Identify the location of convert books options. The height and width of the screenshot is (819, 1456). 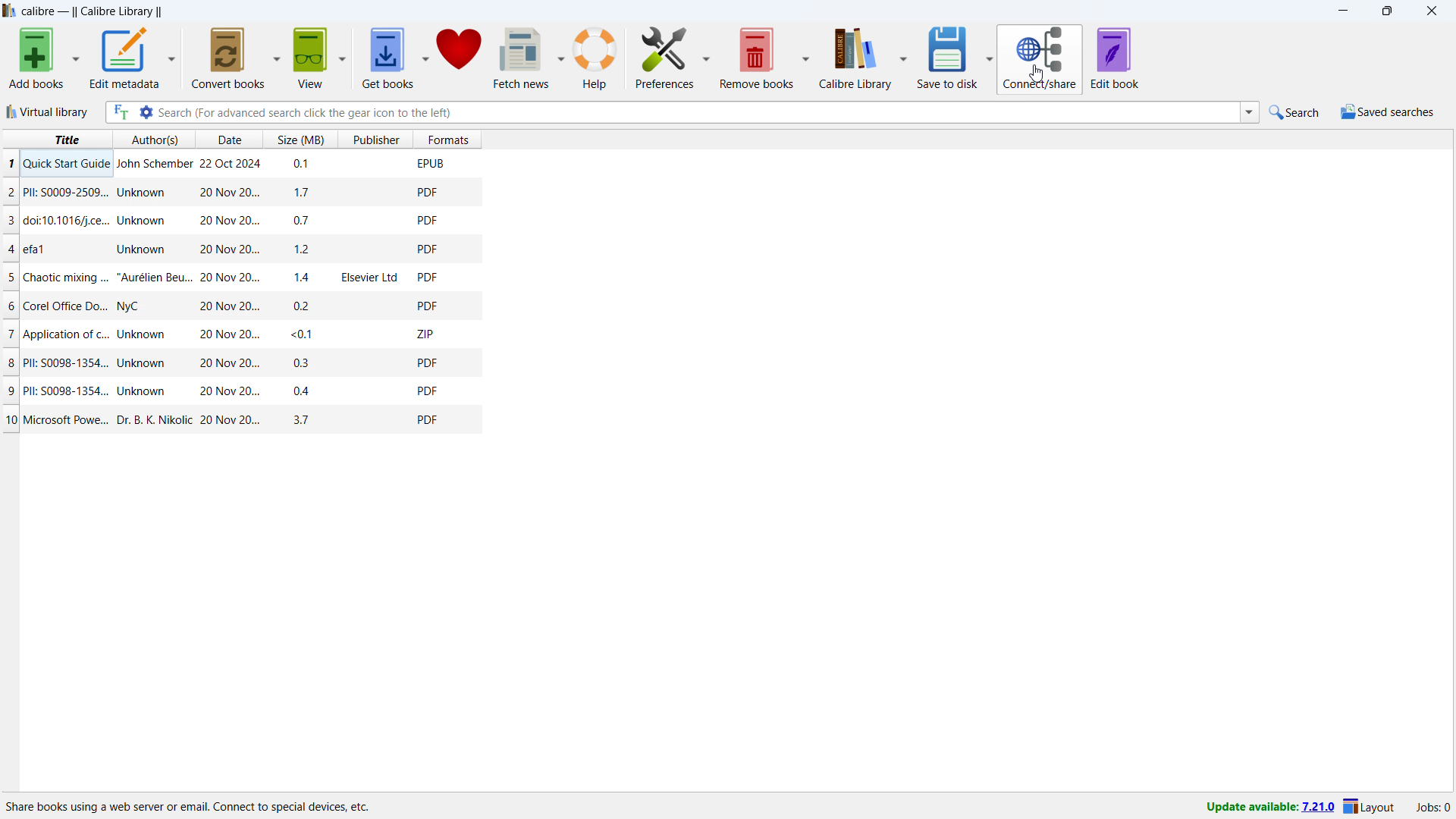
(276, 57).